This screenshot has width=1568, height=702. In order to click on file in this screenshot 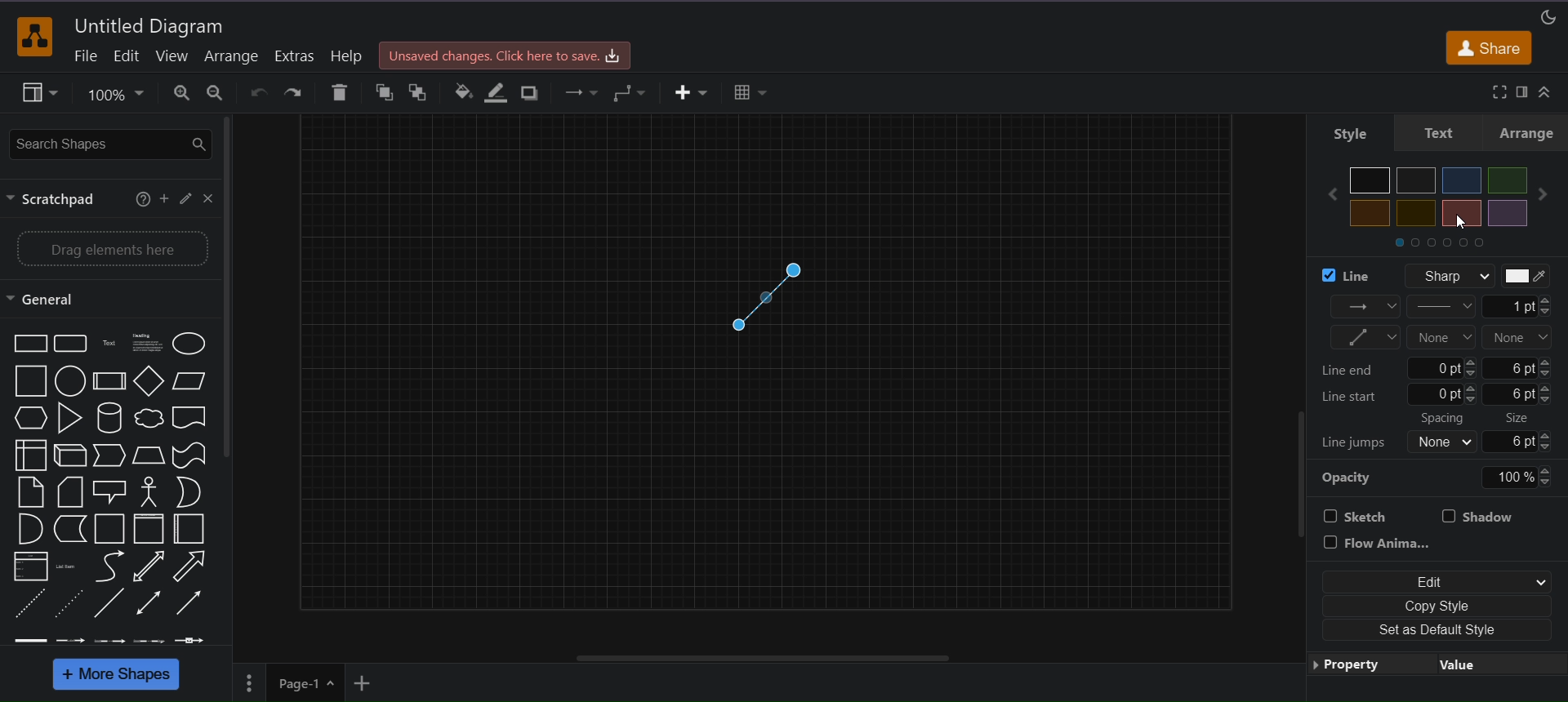, I will do `click(84, 56)`.